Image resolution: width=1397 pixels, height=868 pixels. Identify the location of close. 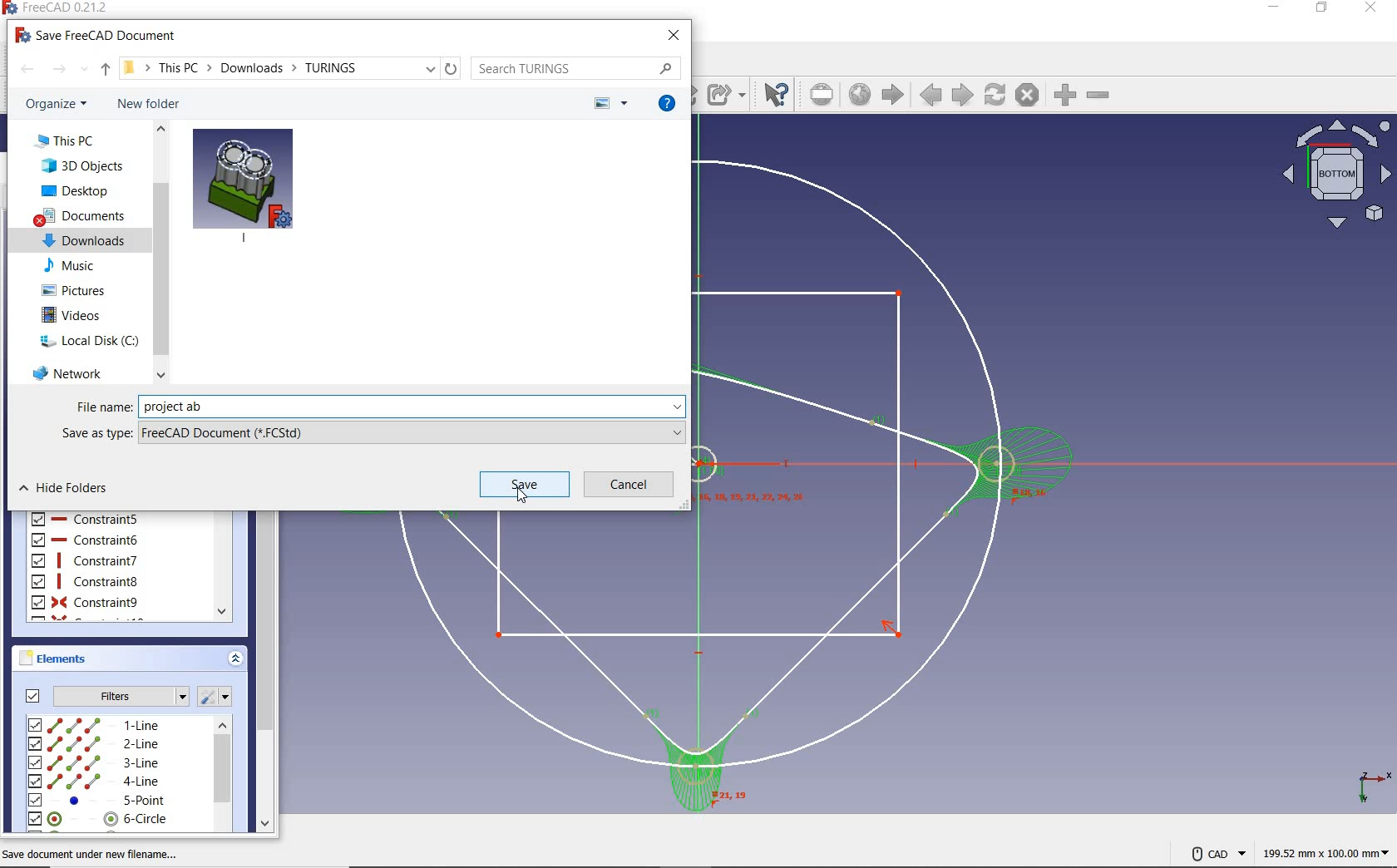
(1371, 8).